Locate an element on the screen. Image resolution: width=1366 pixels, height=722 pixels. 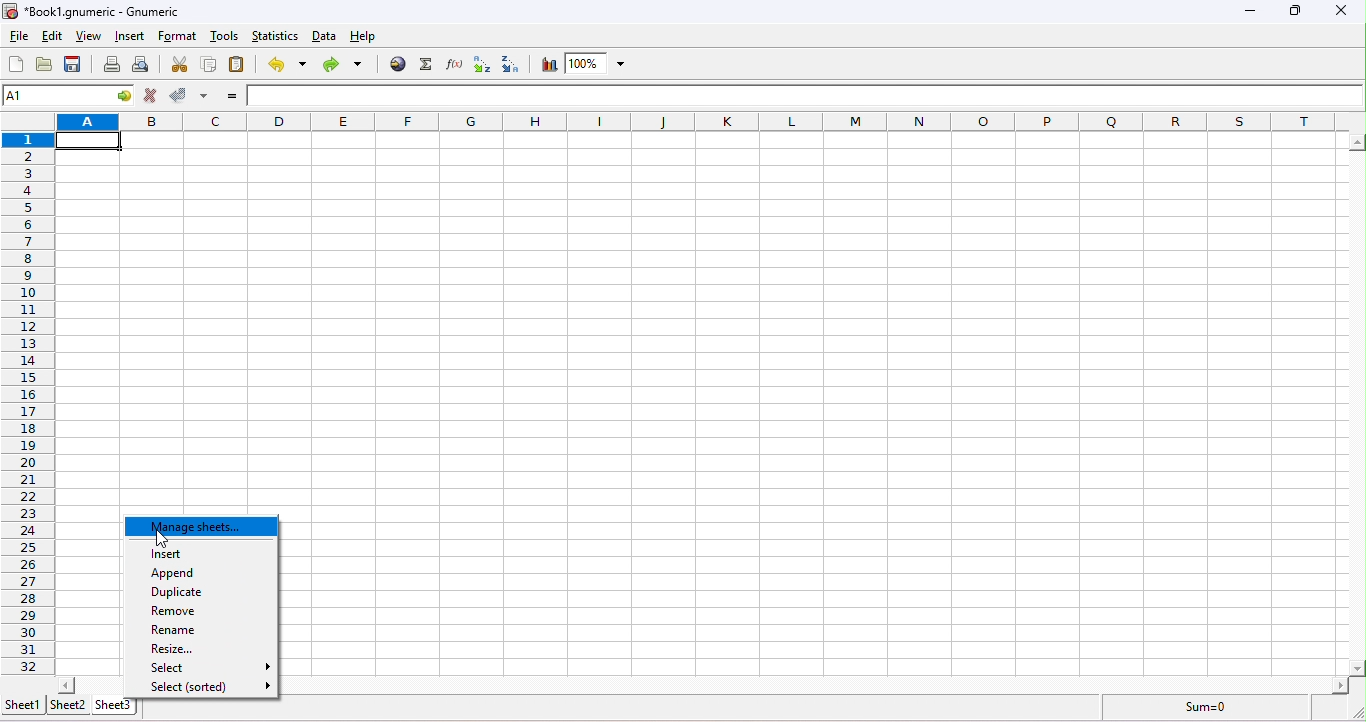
go to is located at coordinates (126, 96).